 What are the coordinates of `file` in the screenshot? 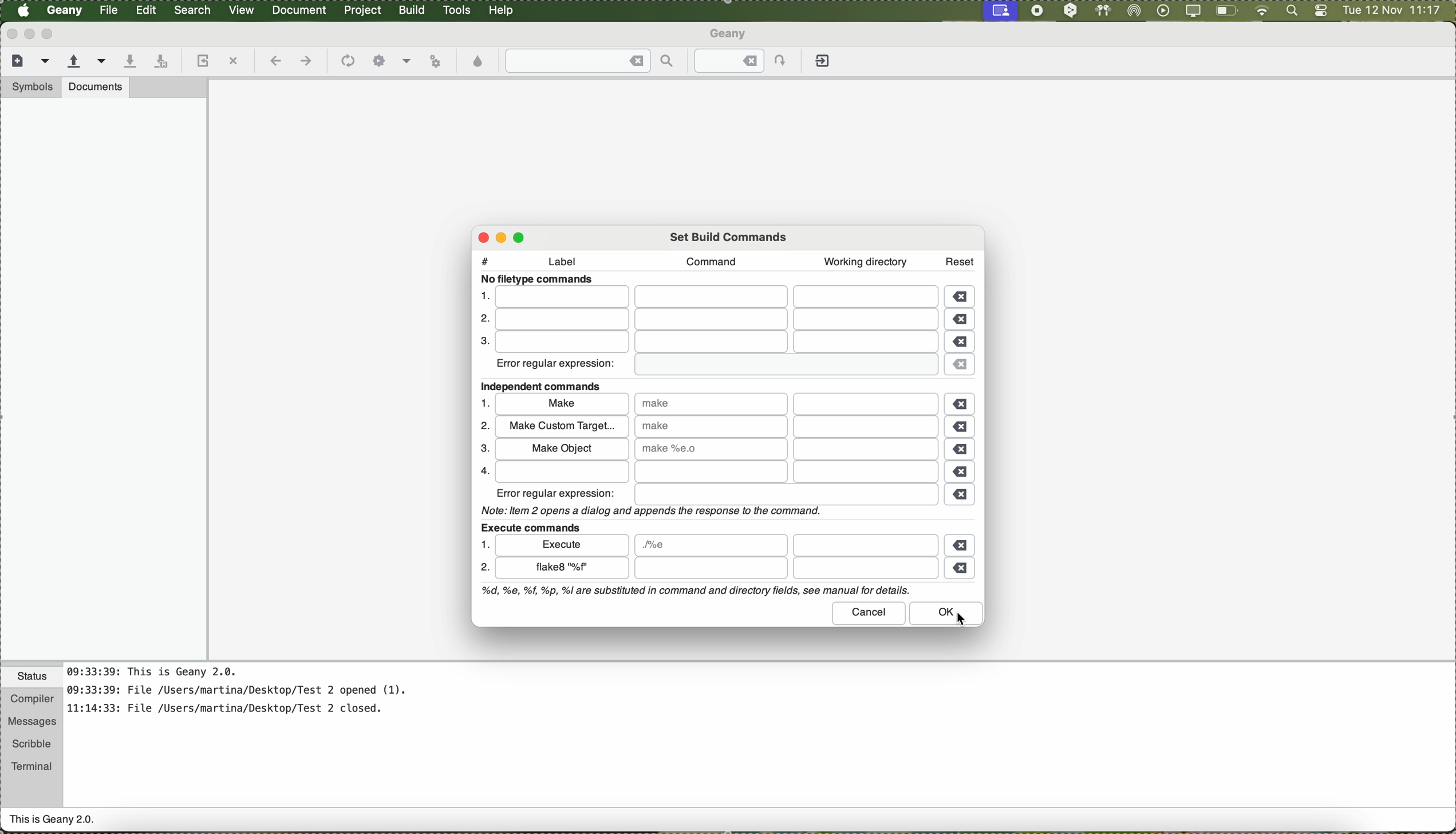 It's located at (786, 495).